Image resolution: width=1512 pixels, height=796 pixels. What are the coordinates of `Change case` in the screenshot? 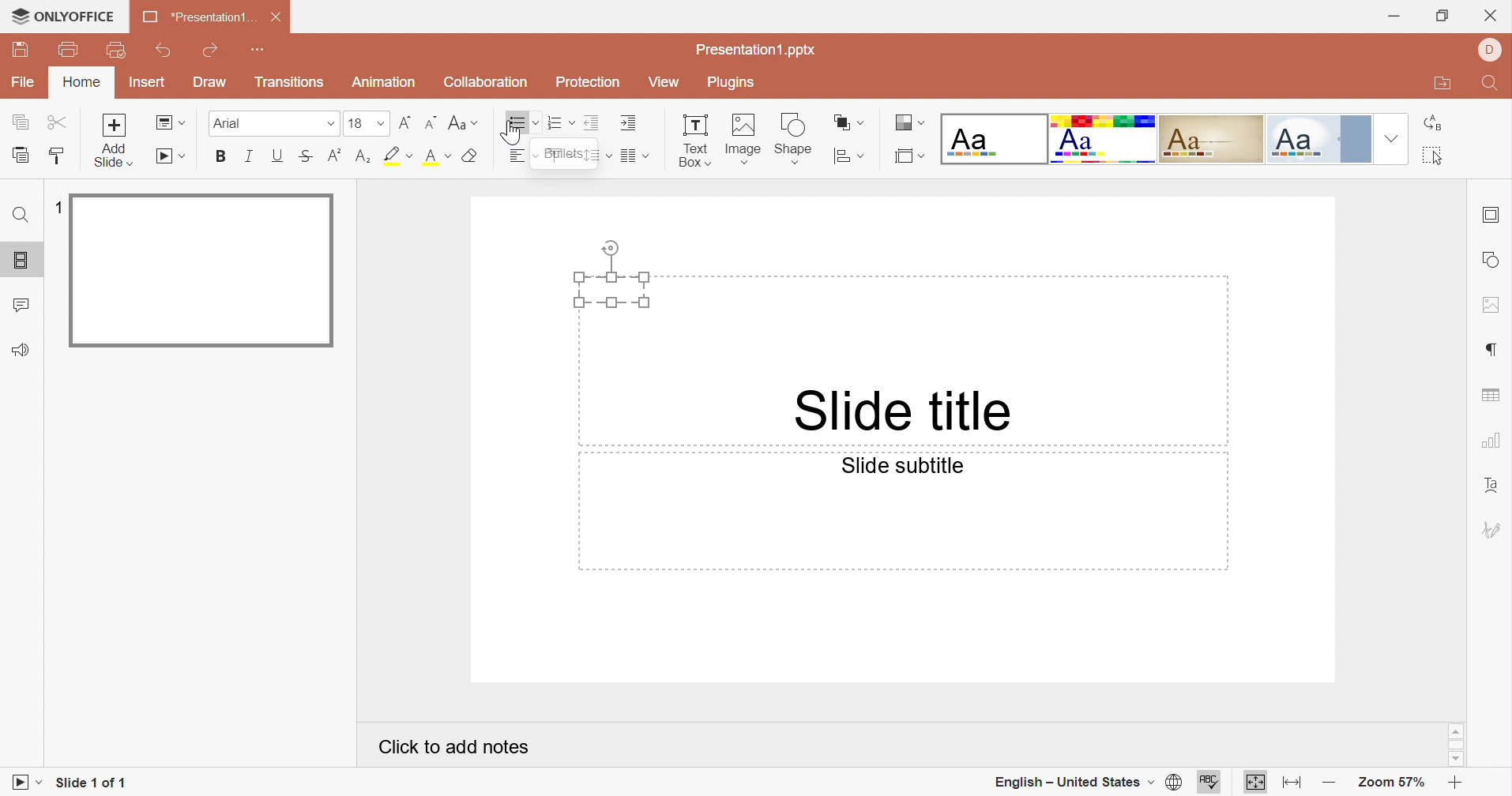 It's located at (465, 125).